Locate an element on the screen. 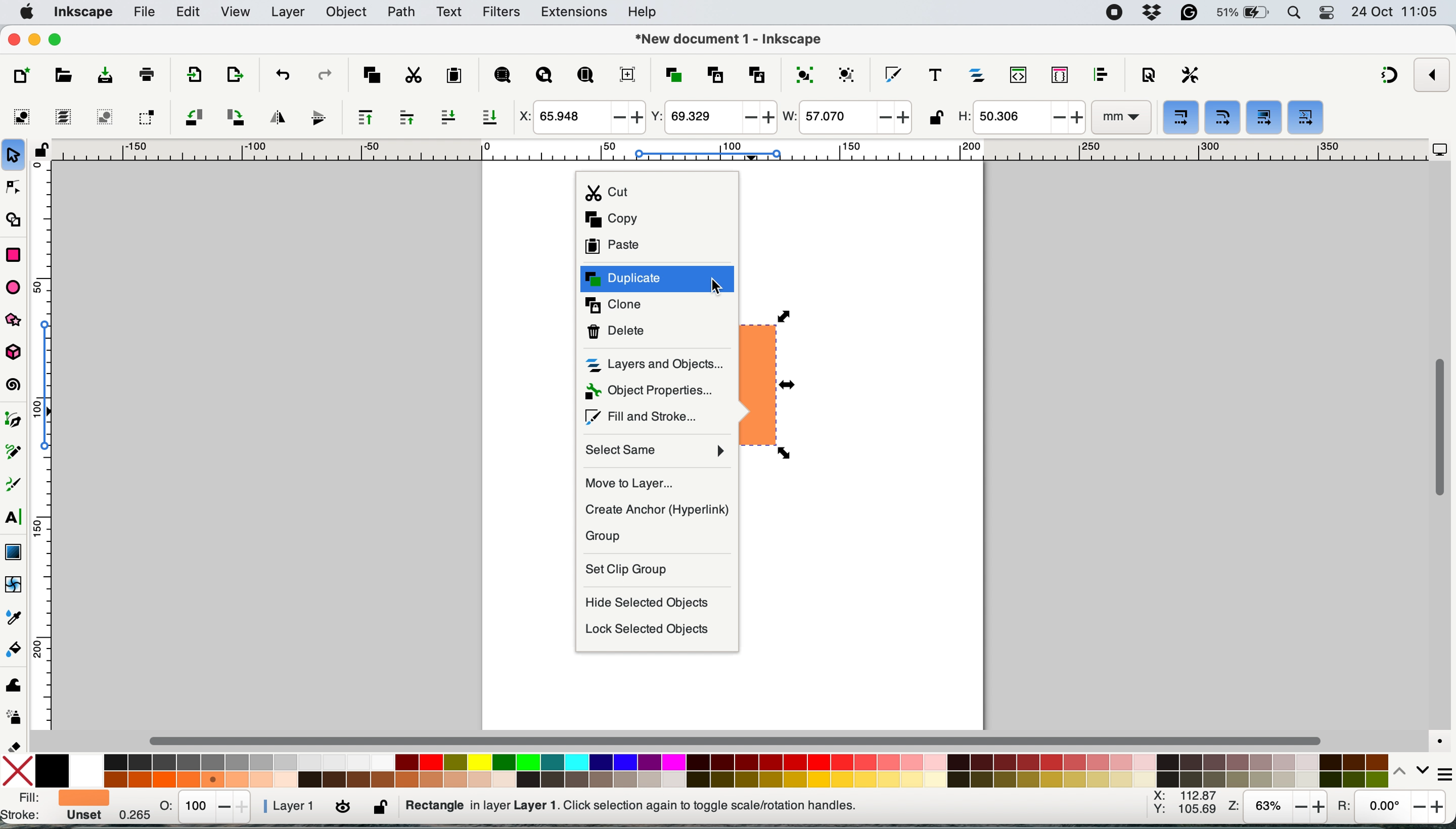 The width and height of the screenshot is (1456, 829). object rotate 90 is located at coordinates (234, 116).